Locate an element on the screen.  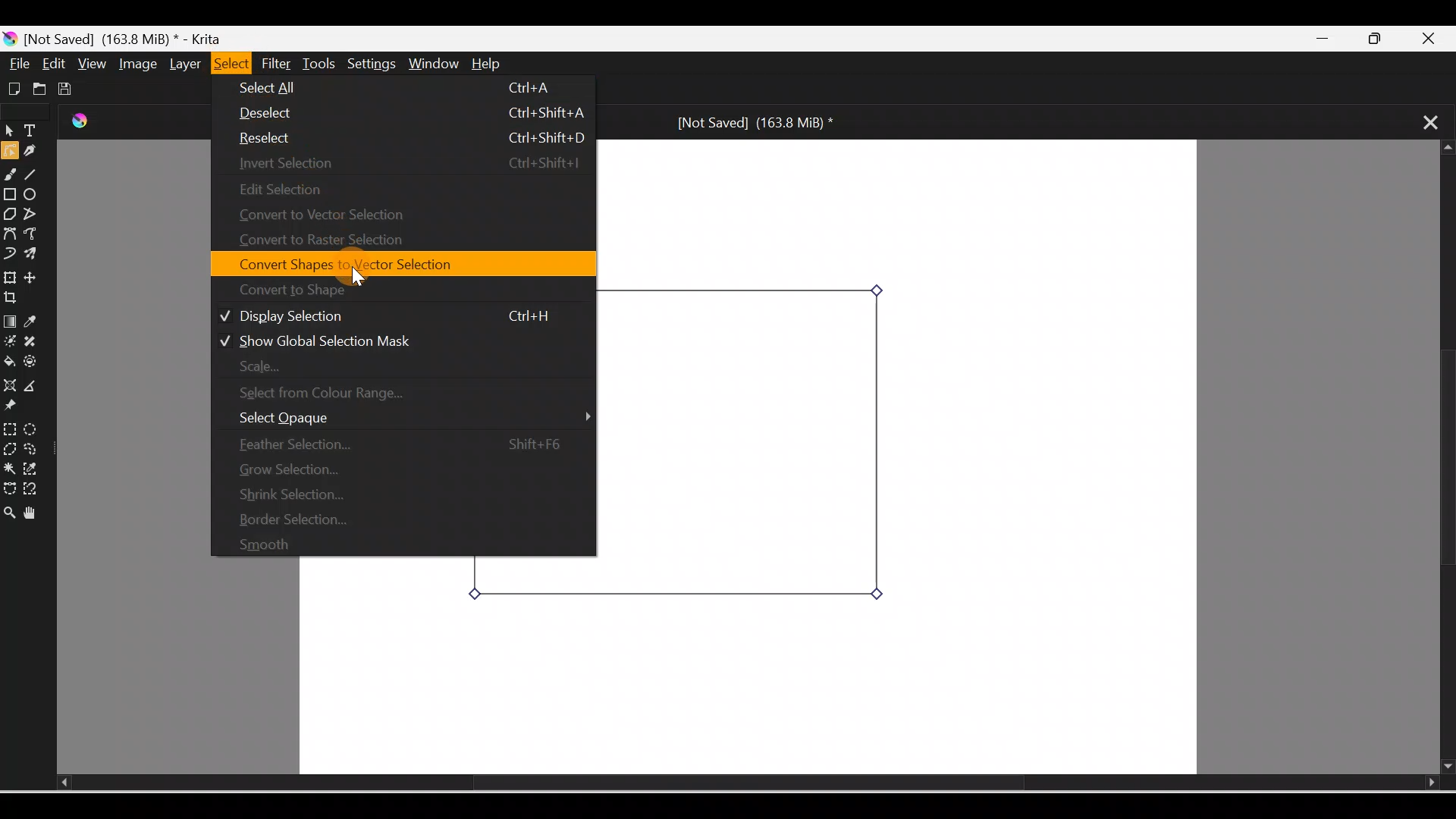
Text tool is located at coordinates (33, 132).